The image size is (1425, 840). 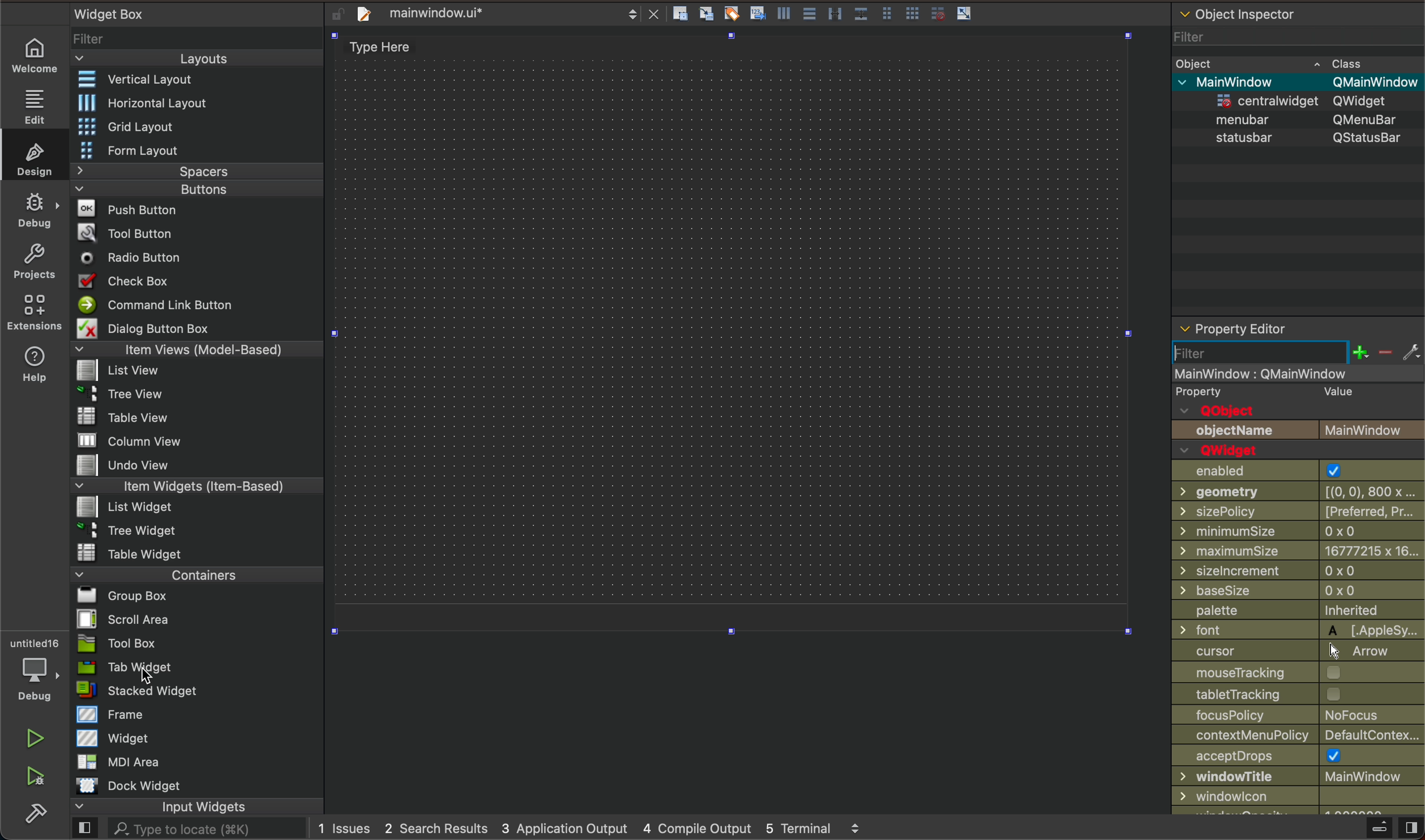 I want to click on file tab, so click(x=502, y=14).